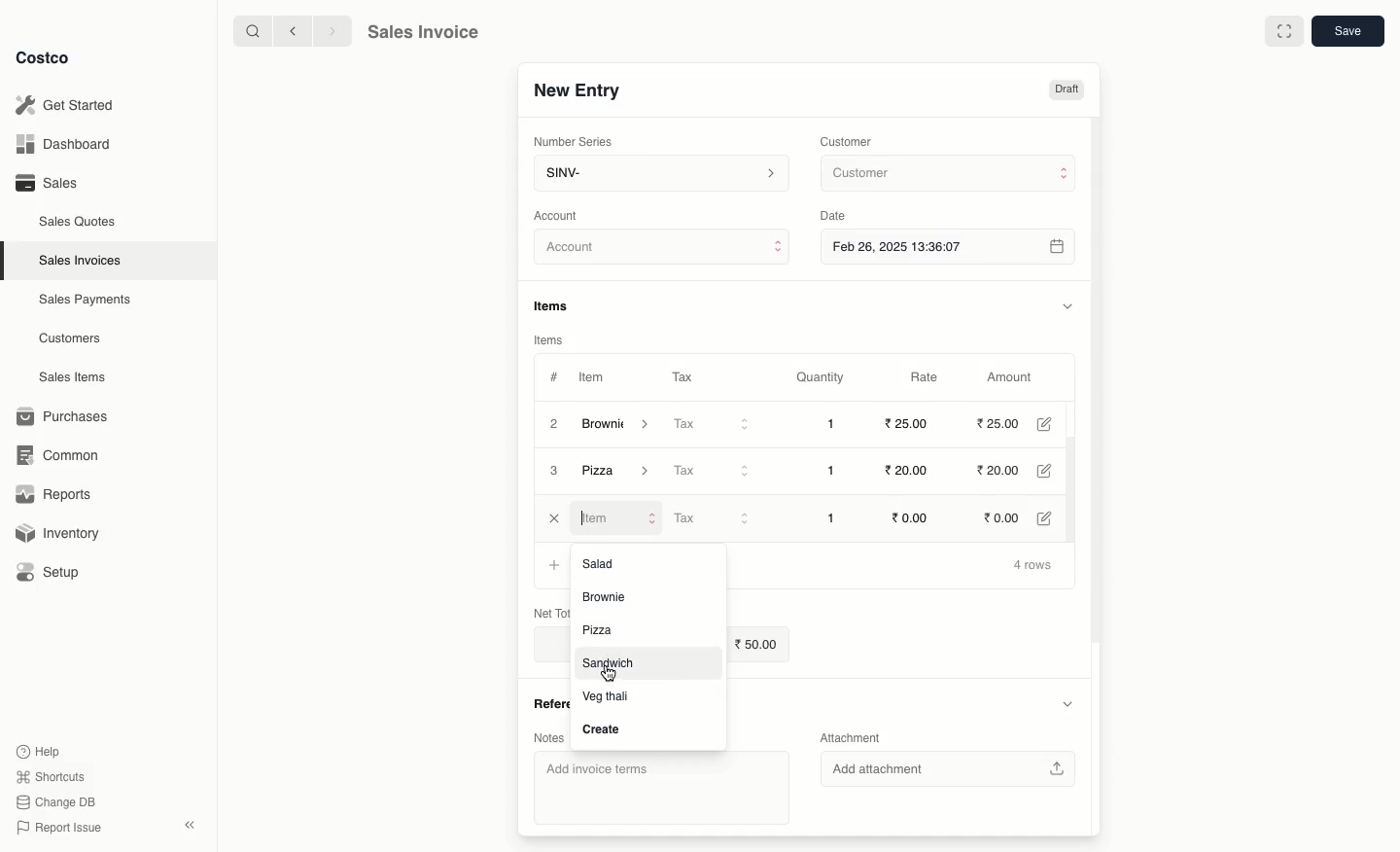 The height and width of the screenshot is (852, 1400). I want to click on Quantity, so click(819, 378).